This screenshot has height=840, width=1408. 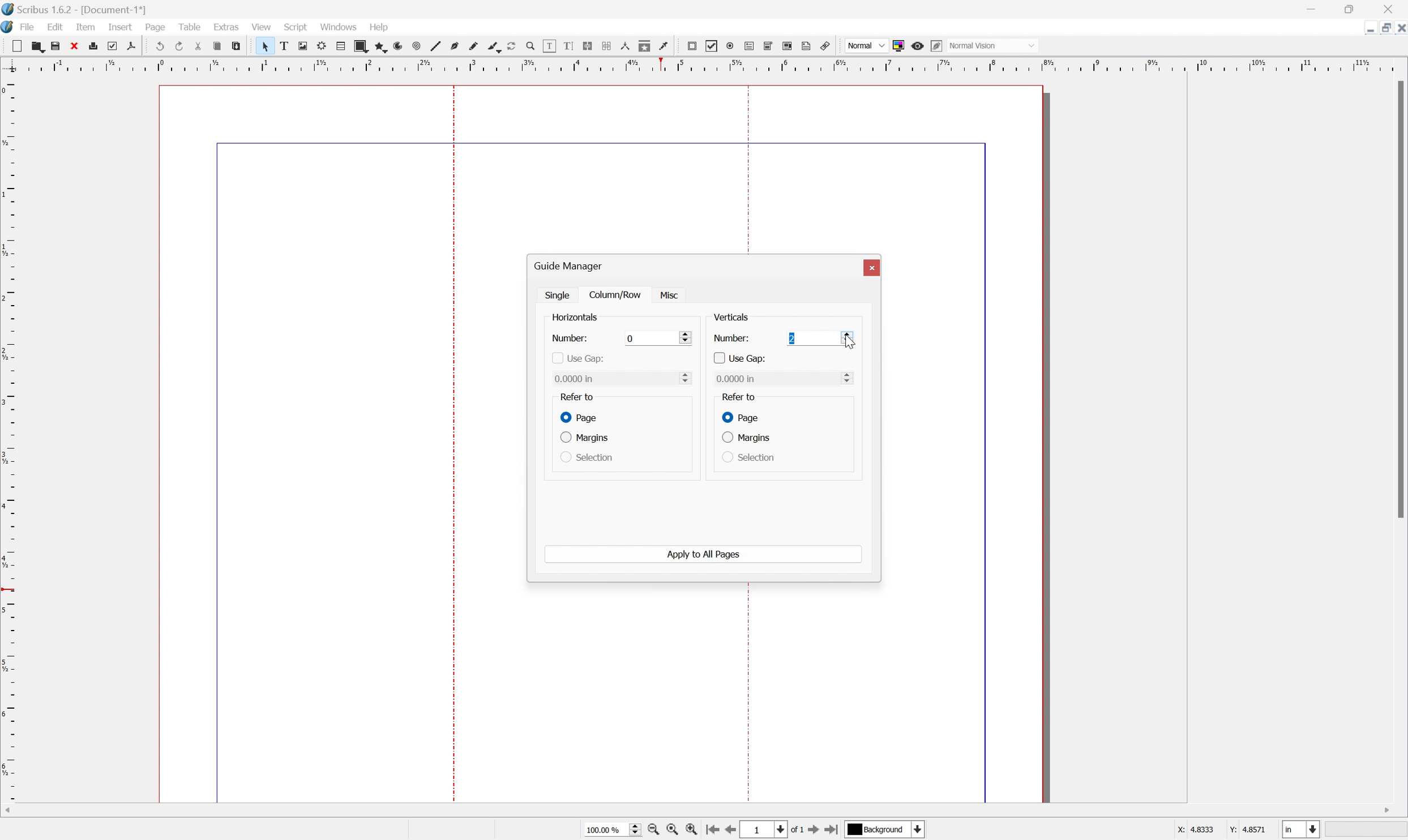 What do you see at coordinates (1399, 28) in the screenshot?
I see `close` at bounding box center [1399, 28].